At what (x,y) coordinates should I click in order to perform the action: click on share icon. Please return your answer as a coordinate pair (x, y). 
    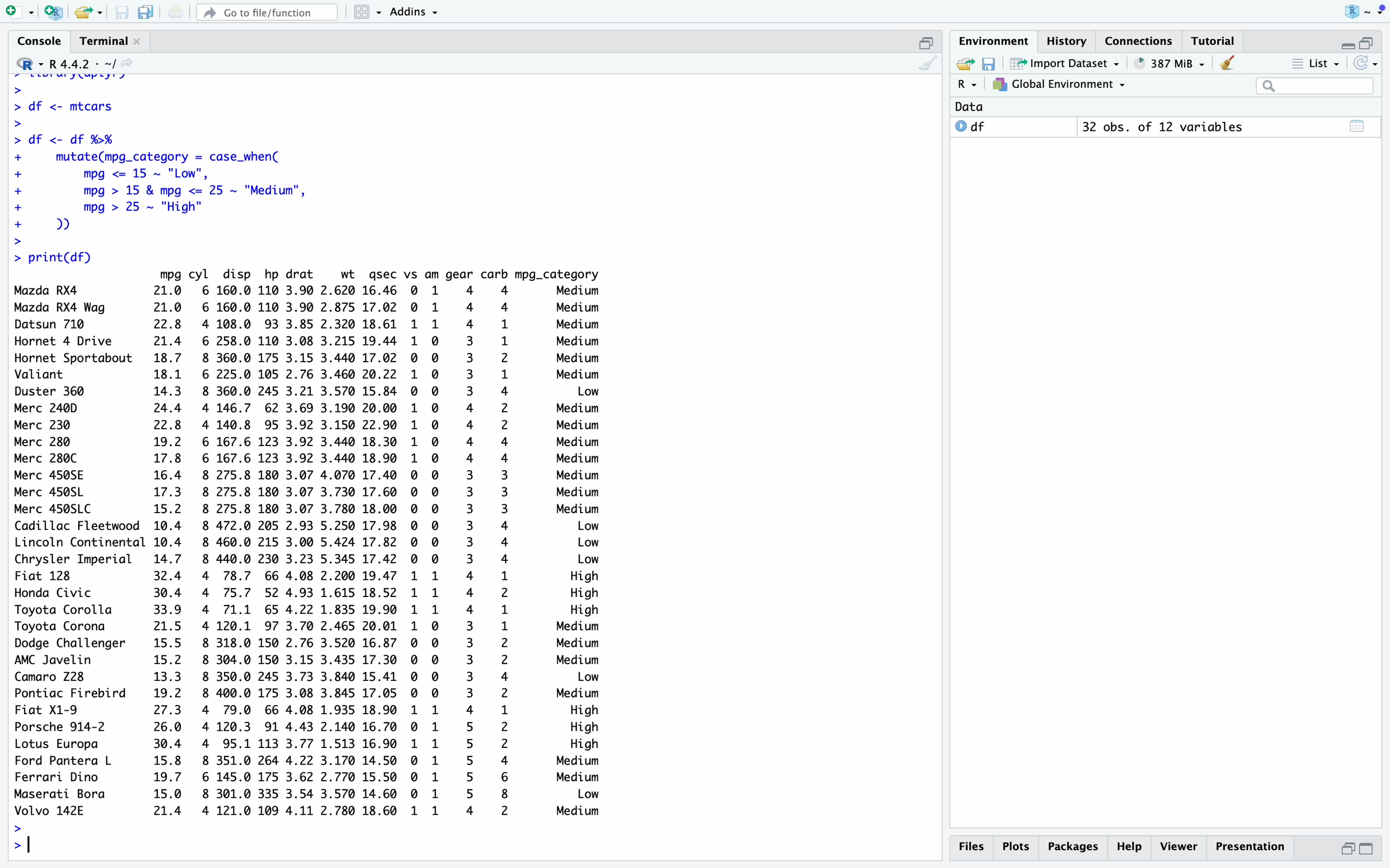
    Looking at the image, I should click on (128, 63).